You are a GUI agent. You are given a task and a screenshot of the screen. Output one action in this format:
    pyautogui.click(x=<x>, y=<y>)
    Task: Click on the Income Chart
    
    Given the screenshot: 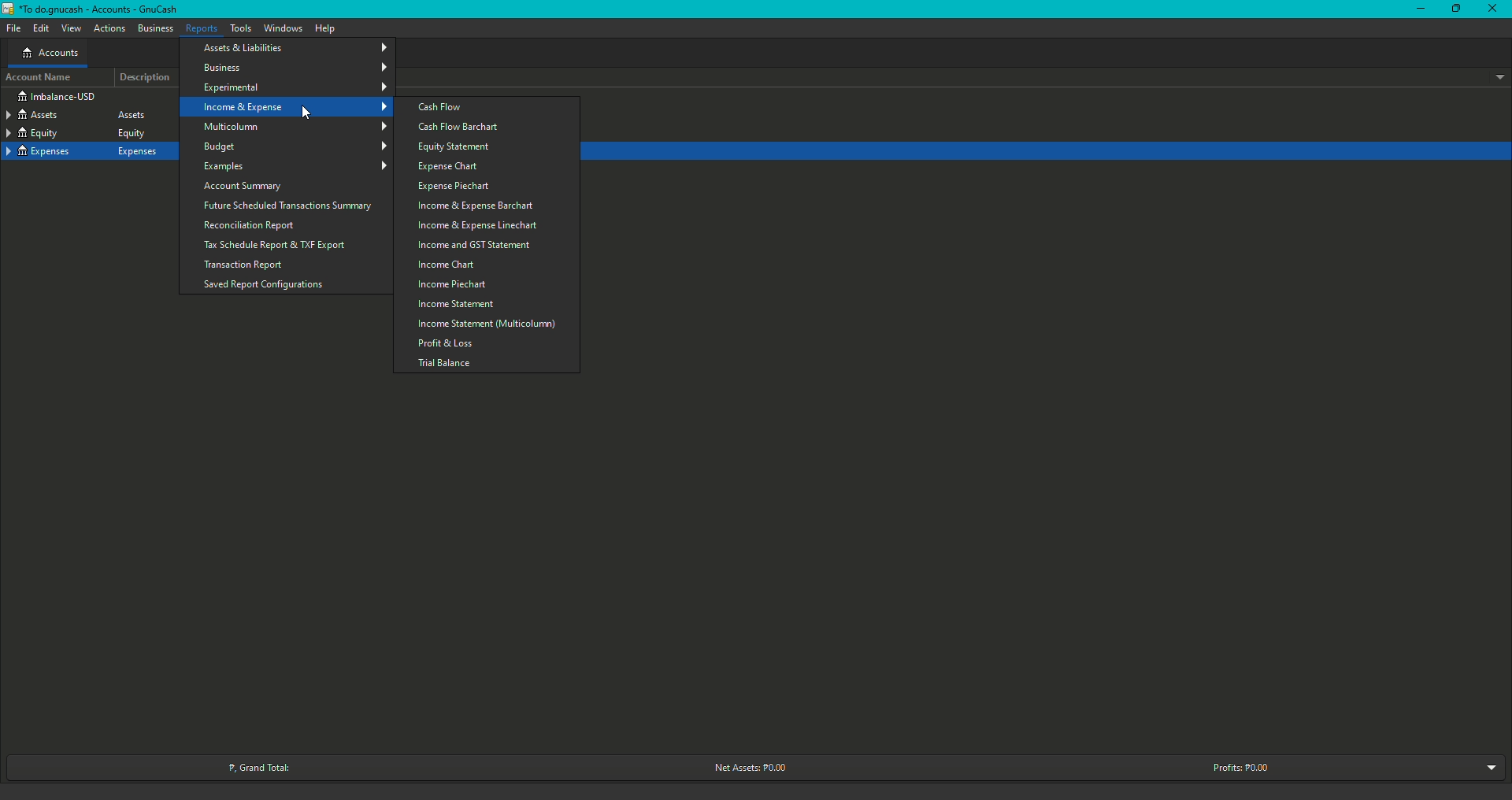 What is the action you would take?
    pyautogui.click(x=445, y=266)
    